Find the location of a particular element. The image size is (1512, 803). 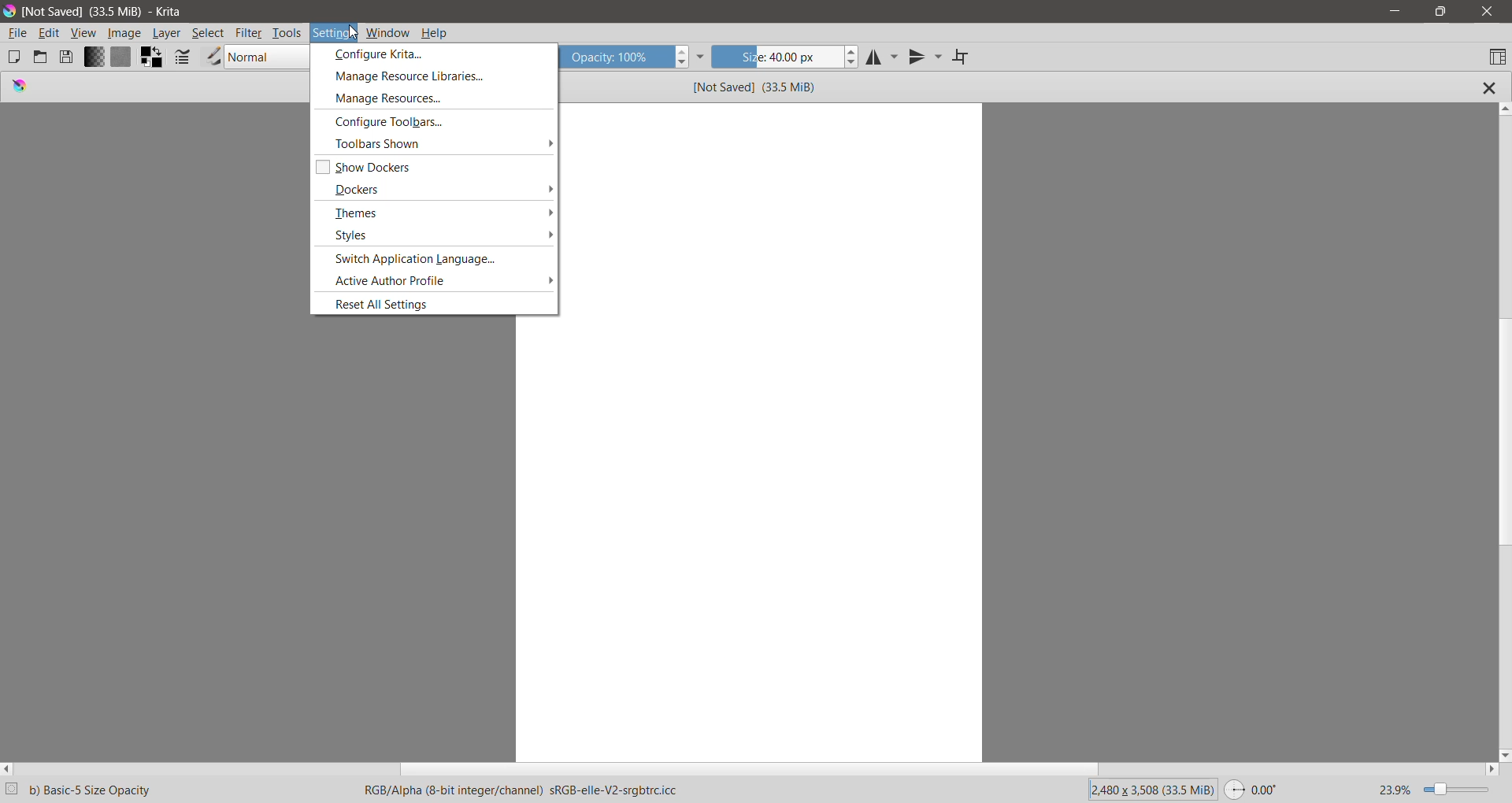

Reset All Settings is located at coordinates (382, 303).